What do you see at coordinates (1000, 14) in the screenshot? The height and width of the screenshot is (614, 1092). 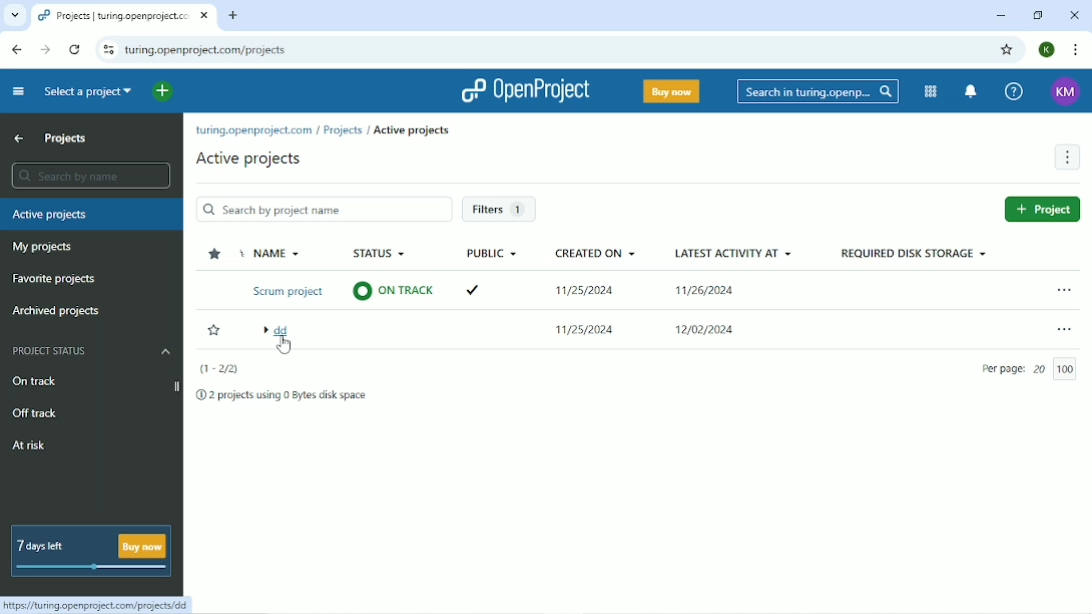 I see `Minimize` at bounding box center [1000, 14].